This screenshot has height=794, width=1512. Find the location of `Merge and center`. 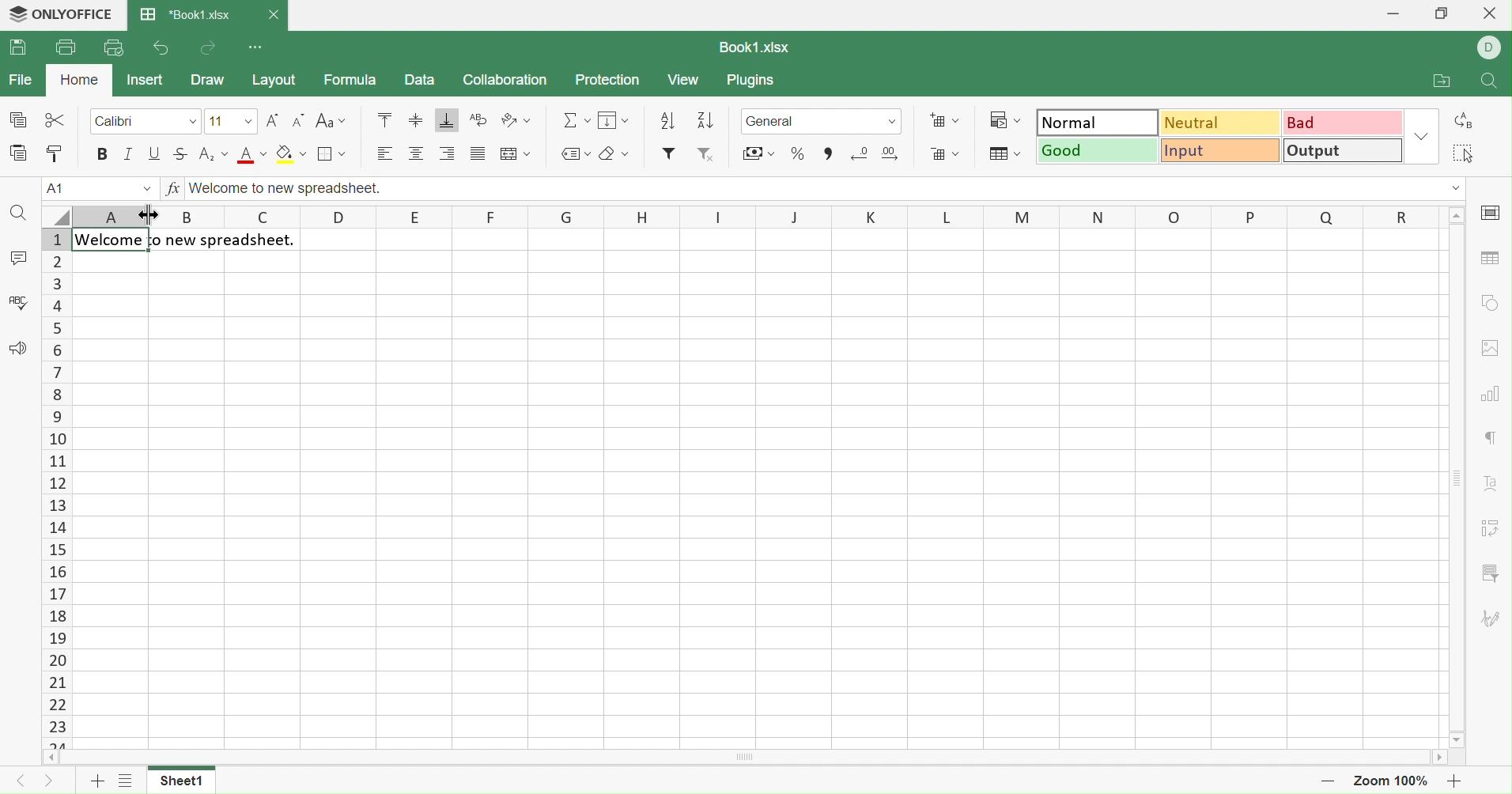

Merge and center is located at coordinates (516, 153).